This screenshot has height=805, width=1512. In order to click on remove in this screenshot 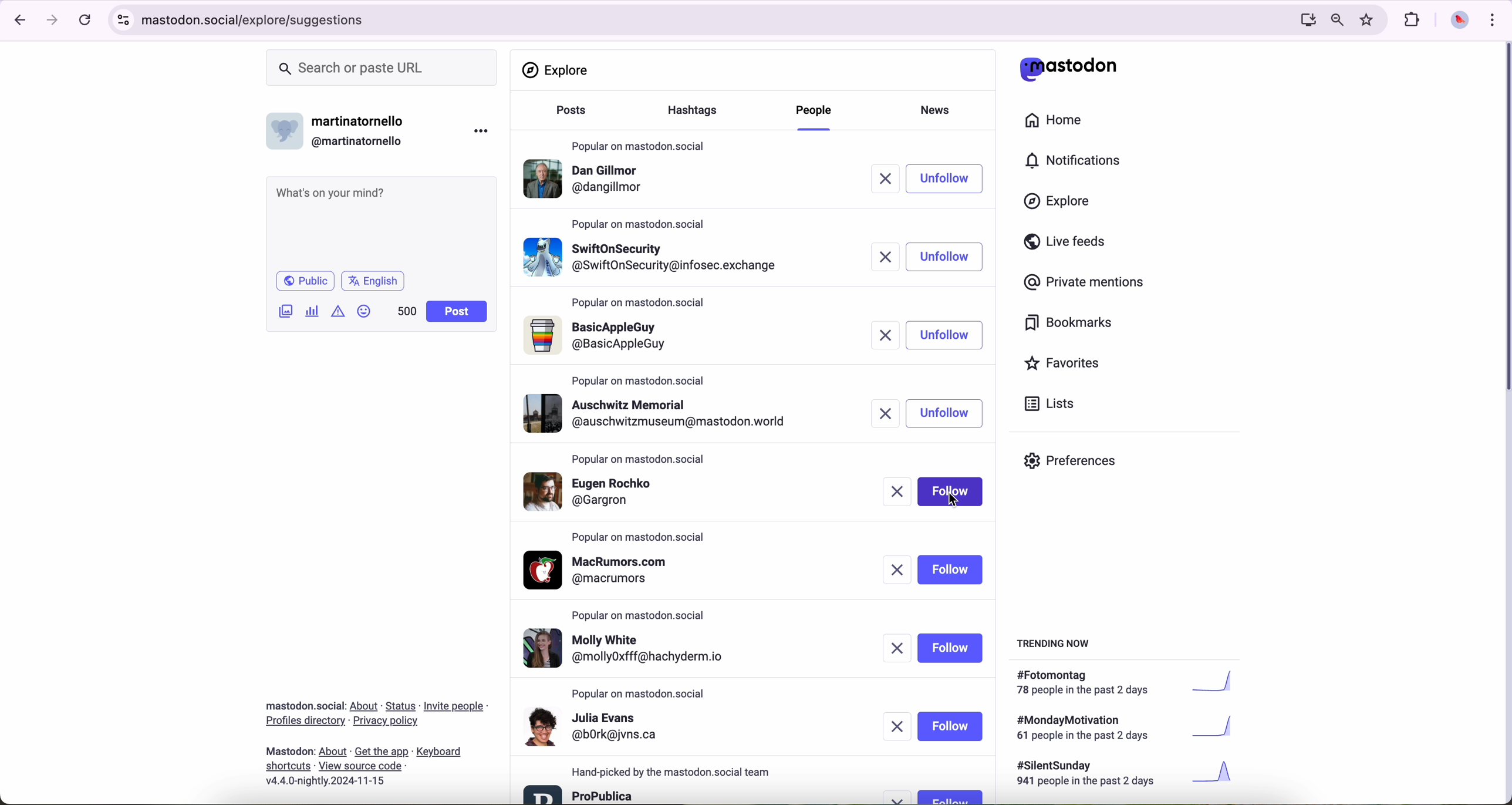, I will do `click(893, 179)`.